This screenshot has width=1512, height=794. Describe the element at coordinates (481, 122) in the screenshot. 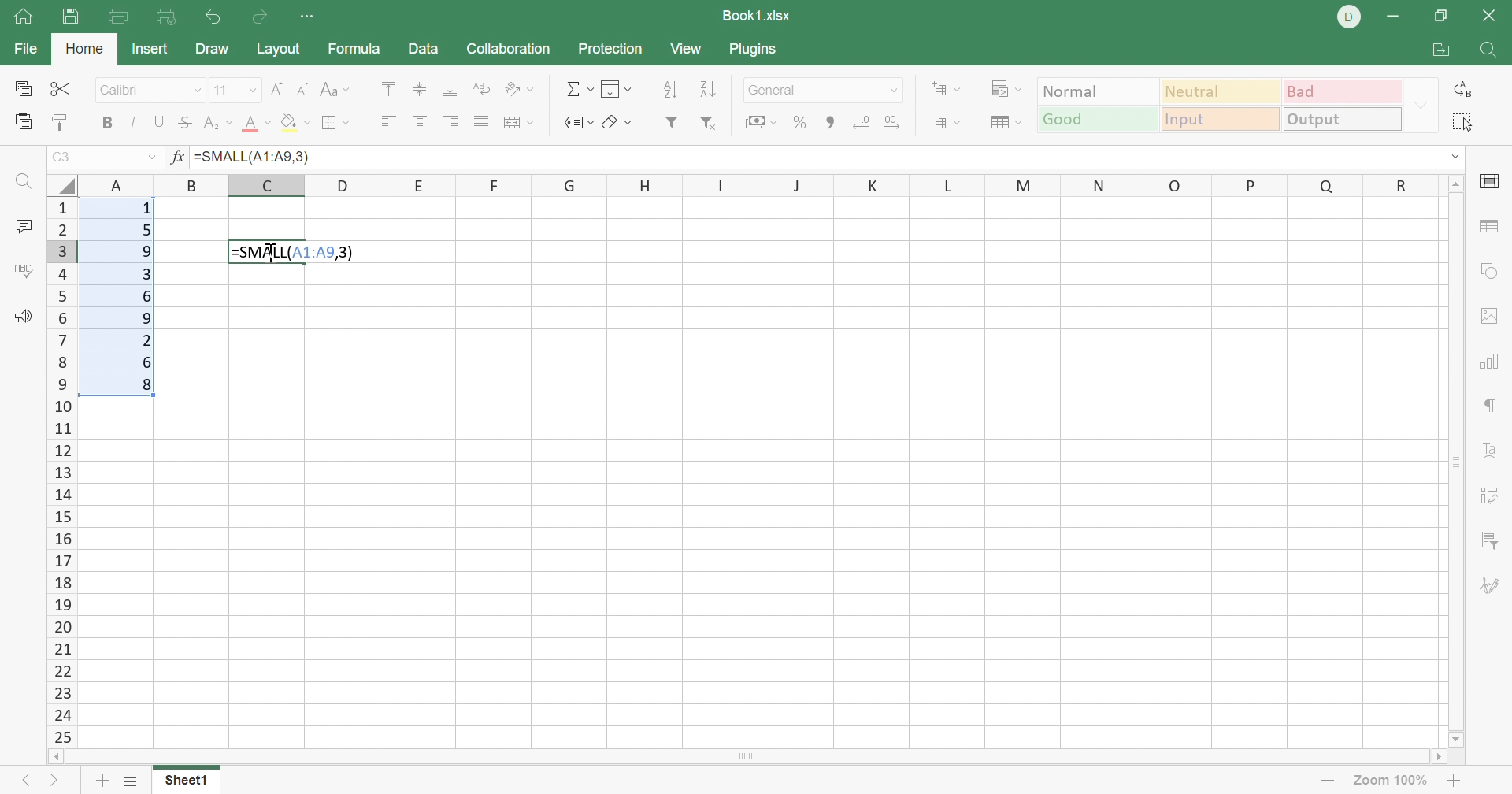

I see `Justified` at that location.